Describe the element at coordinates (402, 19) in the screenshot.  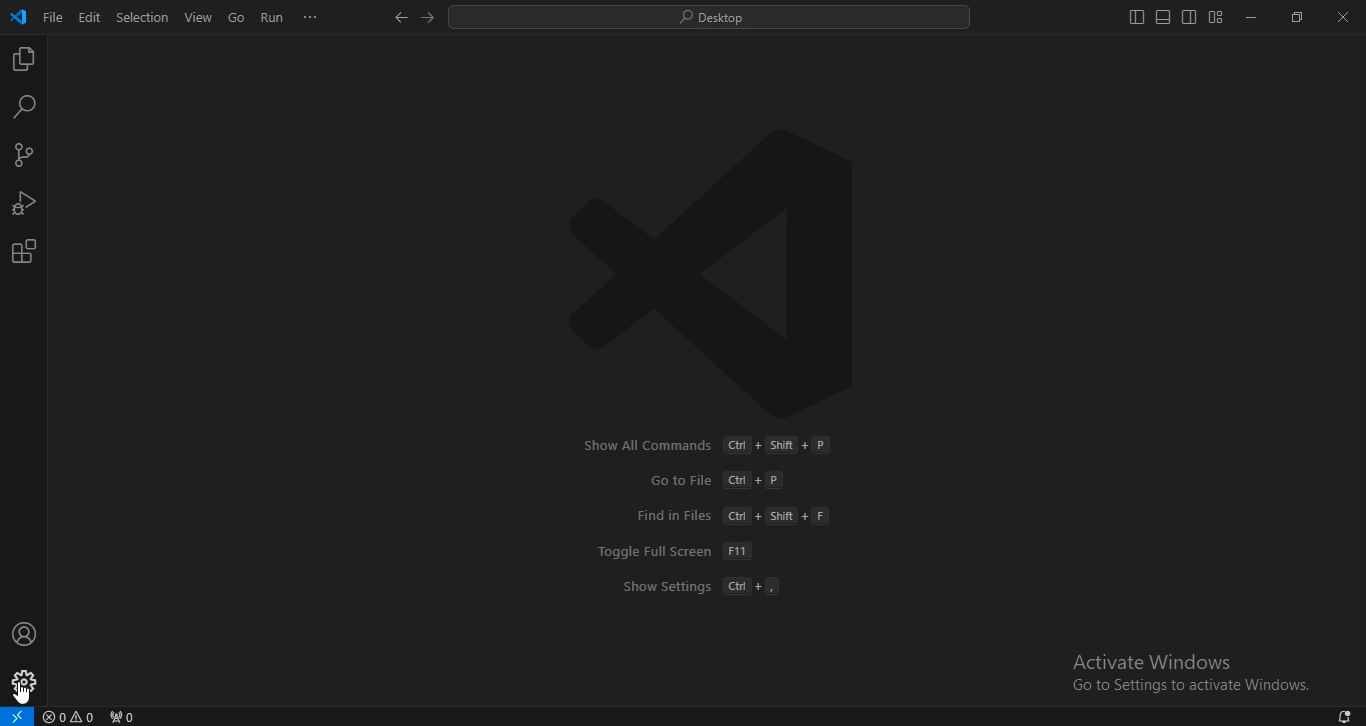
I see `go back` at that location.